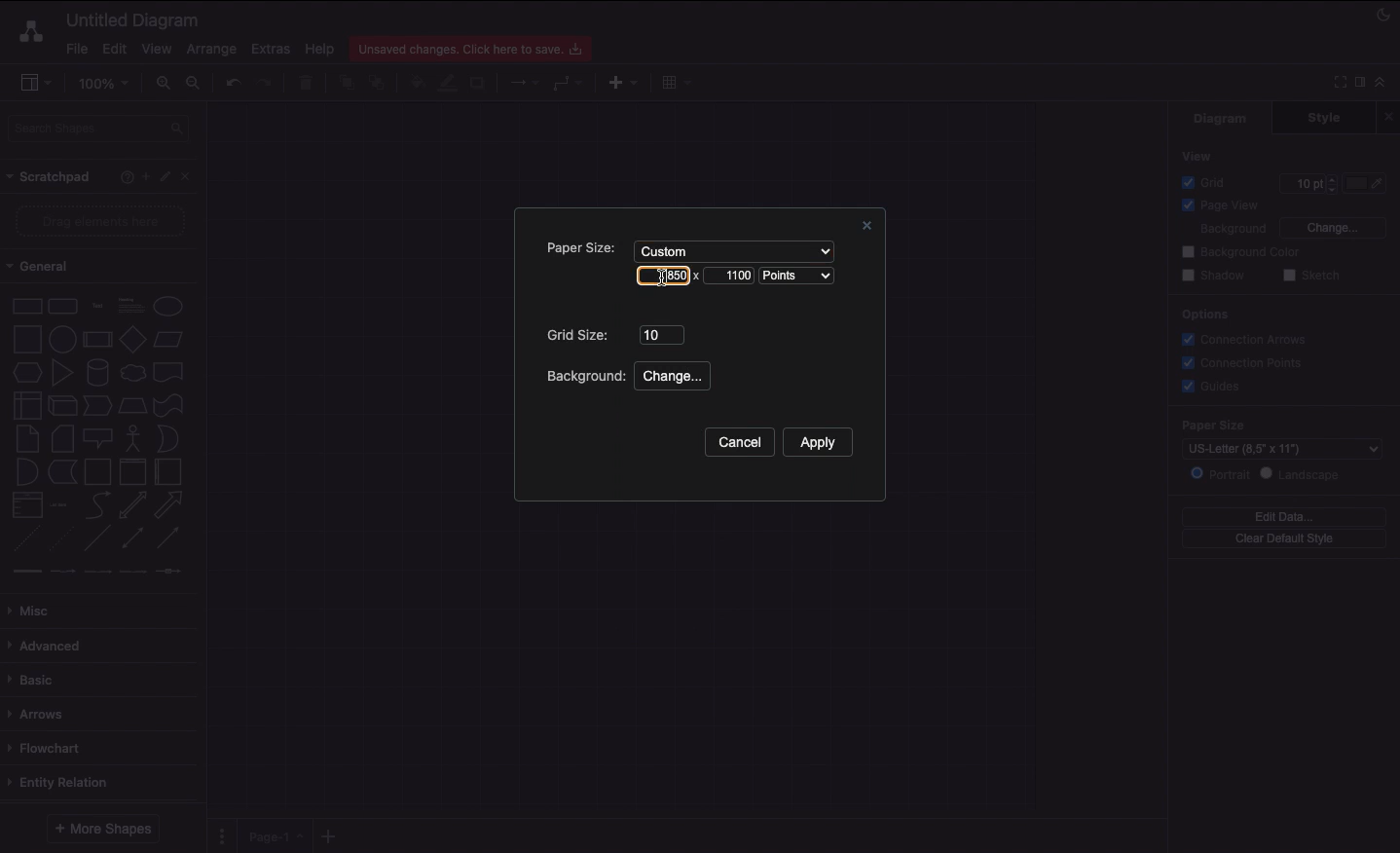 This screenshot has width=1400, height=853. I want to click on Draw.io, so click(27, 31).